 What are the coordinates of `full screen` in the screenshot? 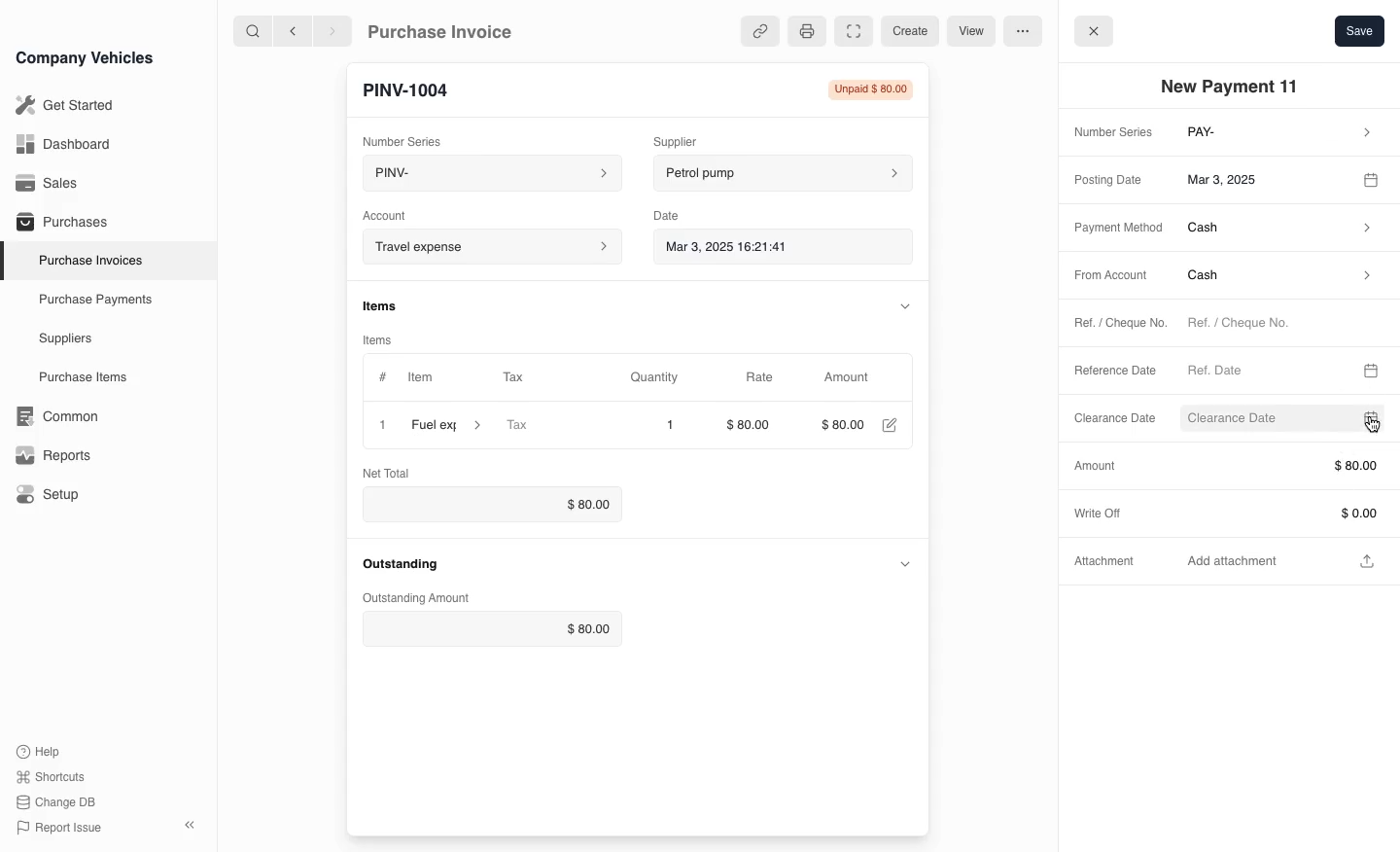 It's located at (853, 32).